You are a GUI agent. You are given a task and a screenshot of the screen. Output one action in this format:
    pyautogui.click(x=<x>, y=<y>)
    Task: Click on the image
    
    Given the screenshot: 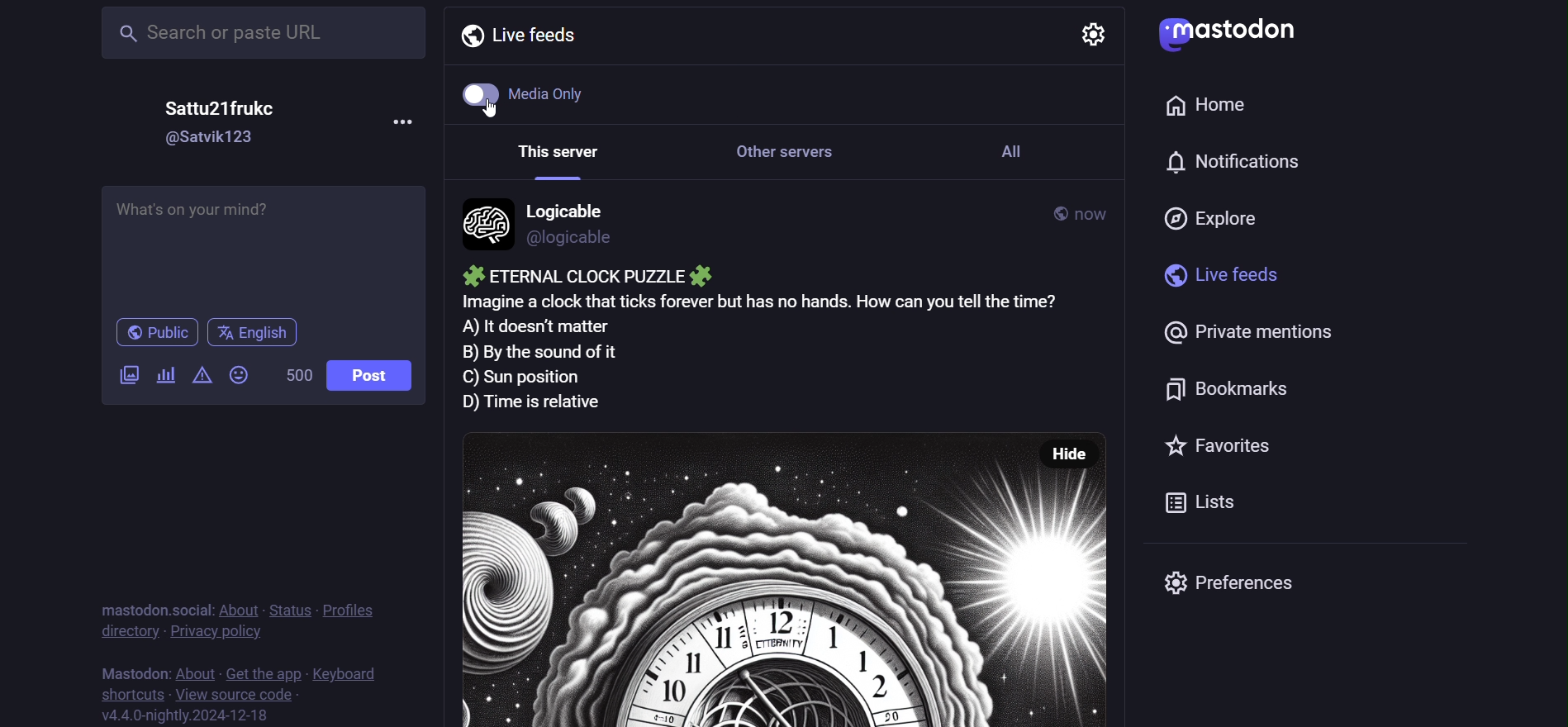 What is the action you would take?
    pyautogui.click(x=746, y=575)
    